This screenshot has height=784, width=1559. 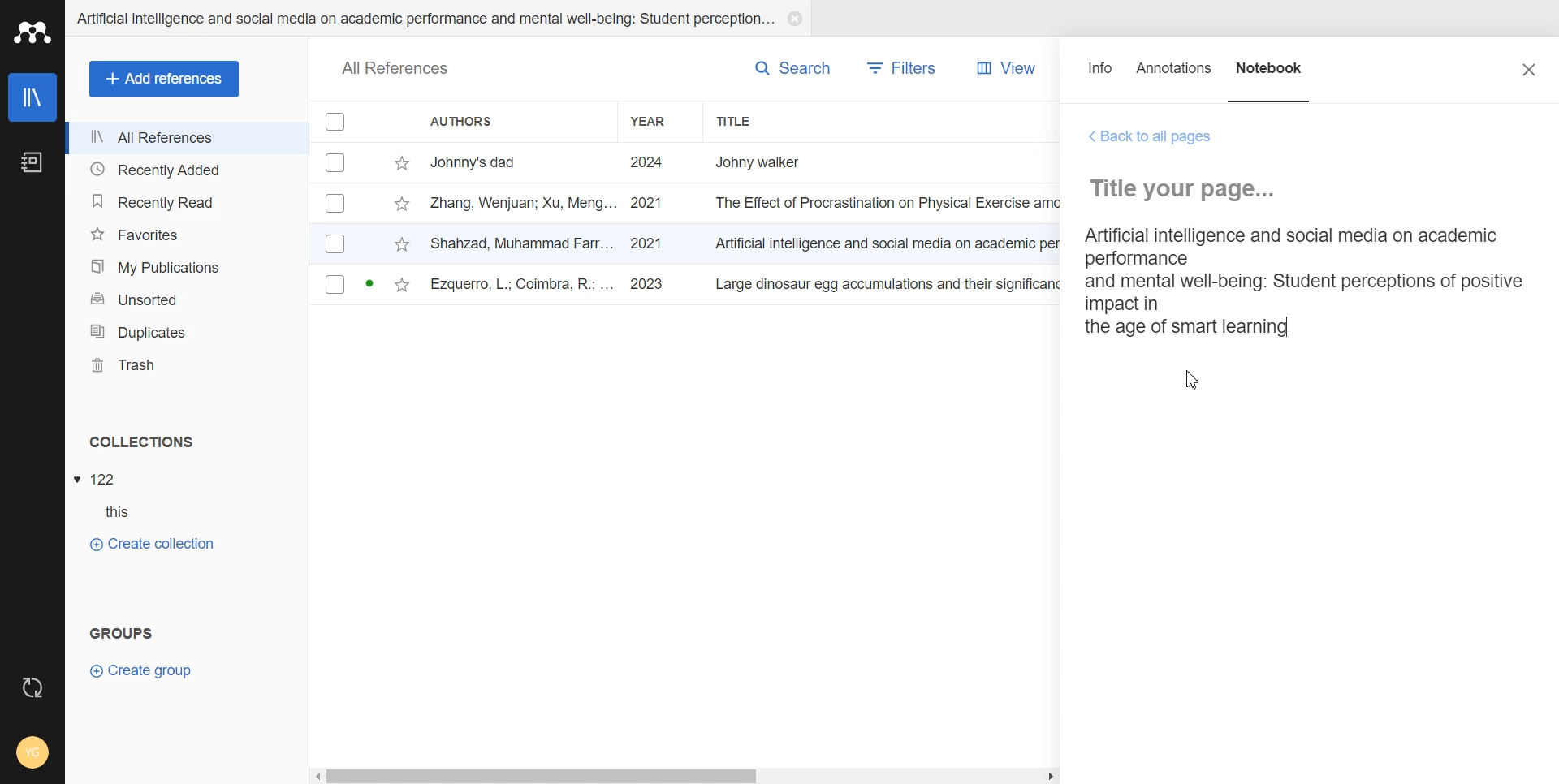 I want to click on this, so click(x=127, y=512).